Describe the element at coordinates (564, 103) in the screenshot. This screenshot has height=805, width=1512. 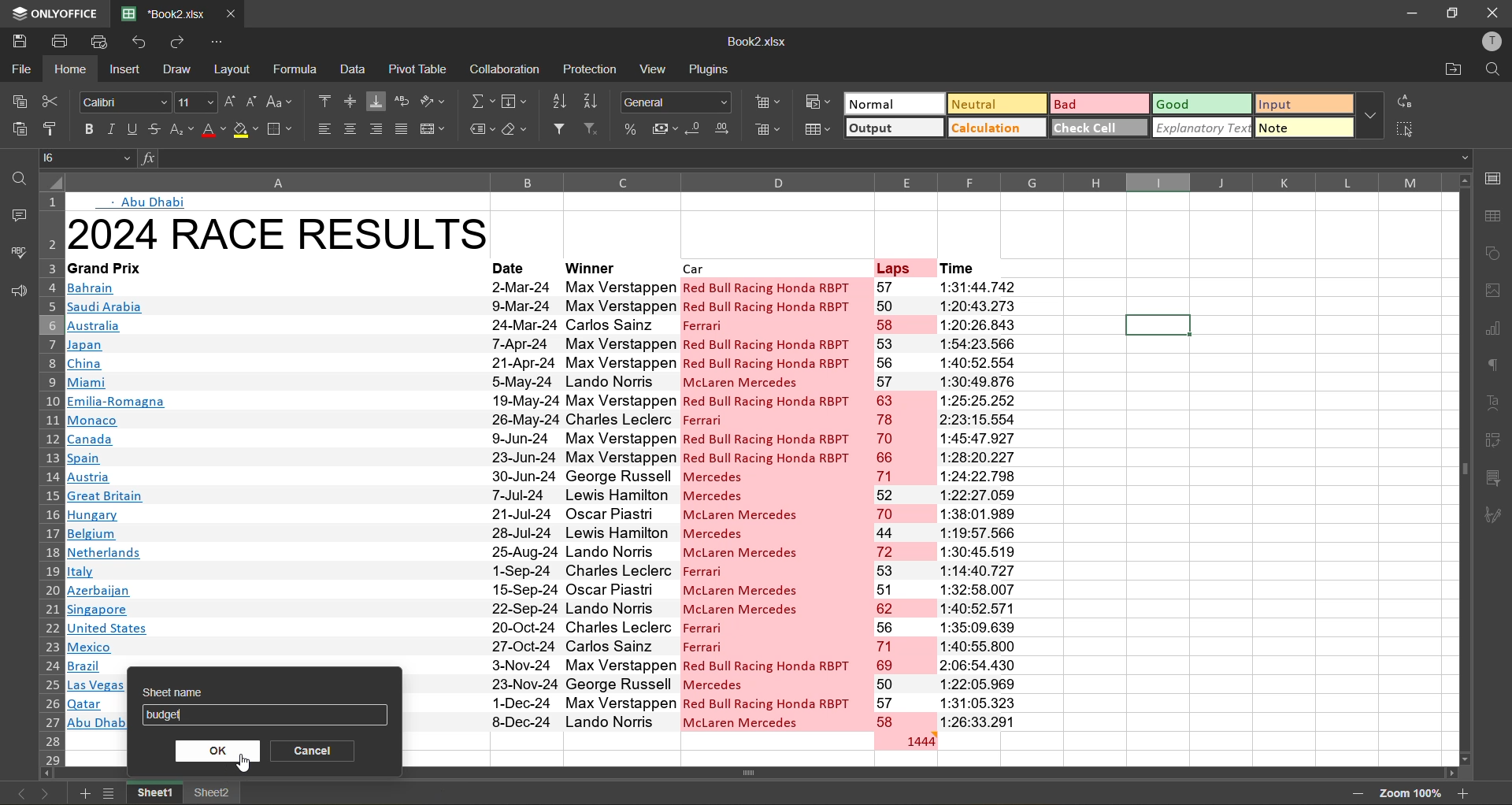
I see `sort ascending ` at that location.